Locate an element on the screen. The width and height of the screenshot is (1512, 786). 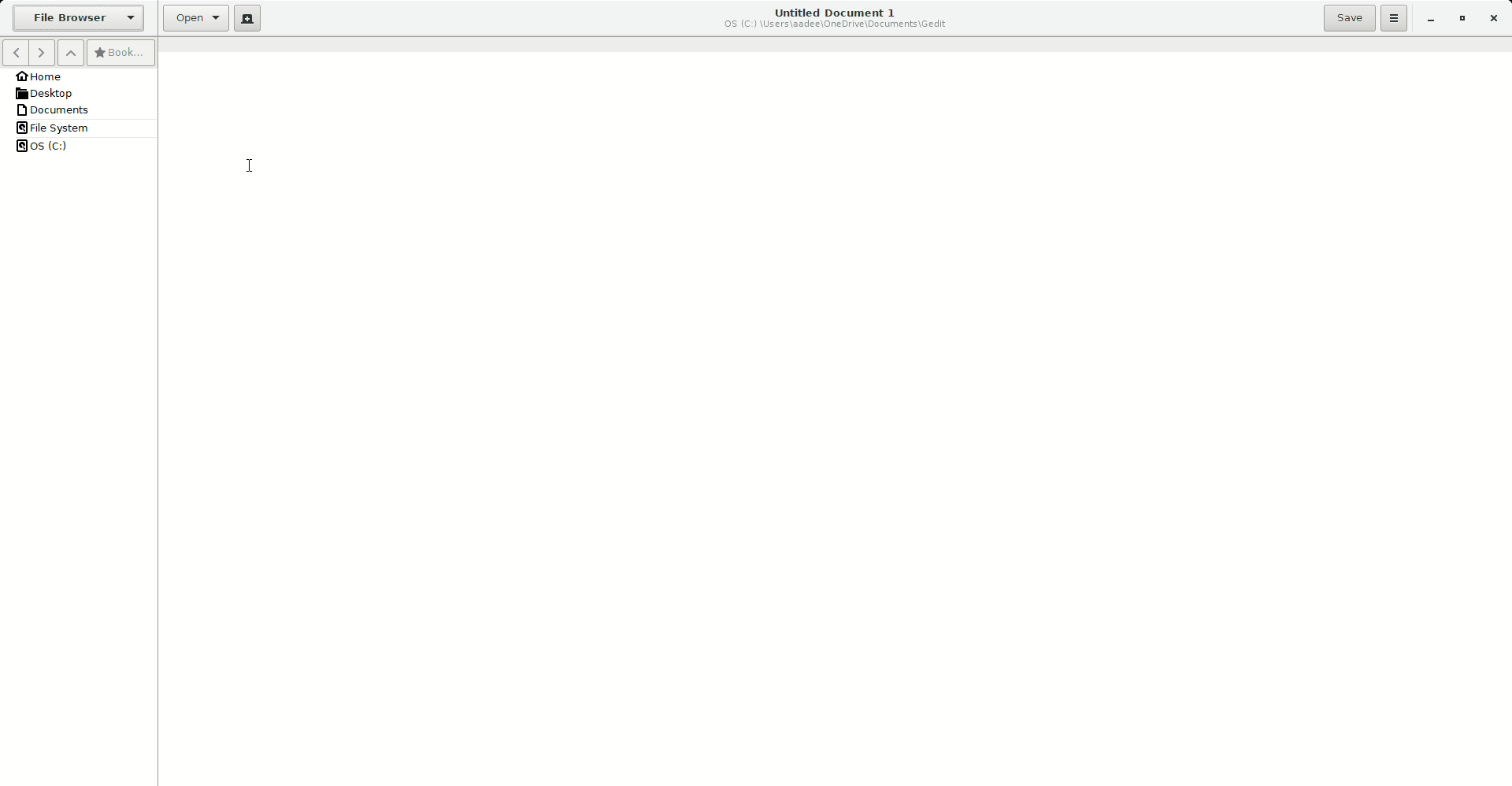
Close is located at coordinates (1492, 17).